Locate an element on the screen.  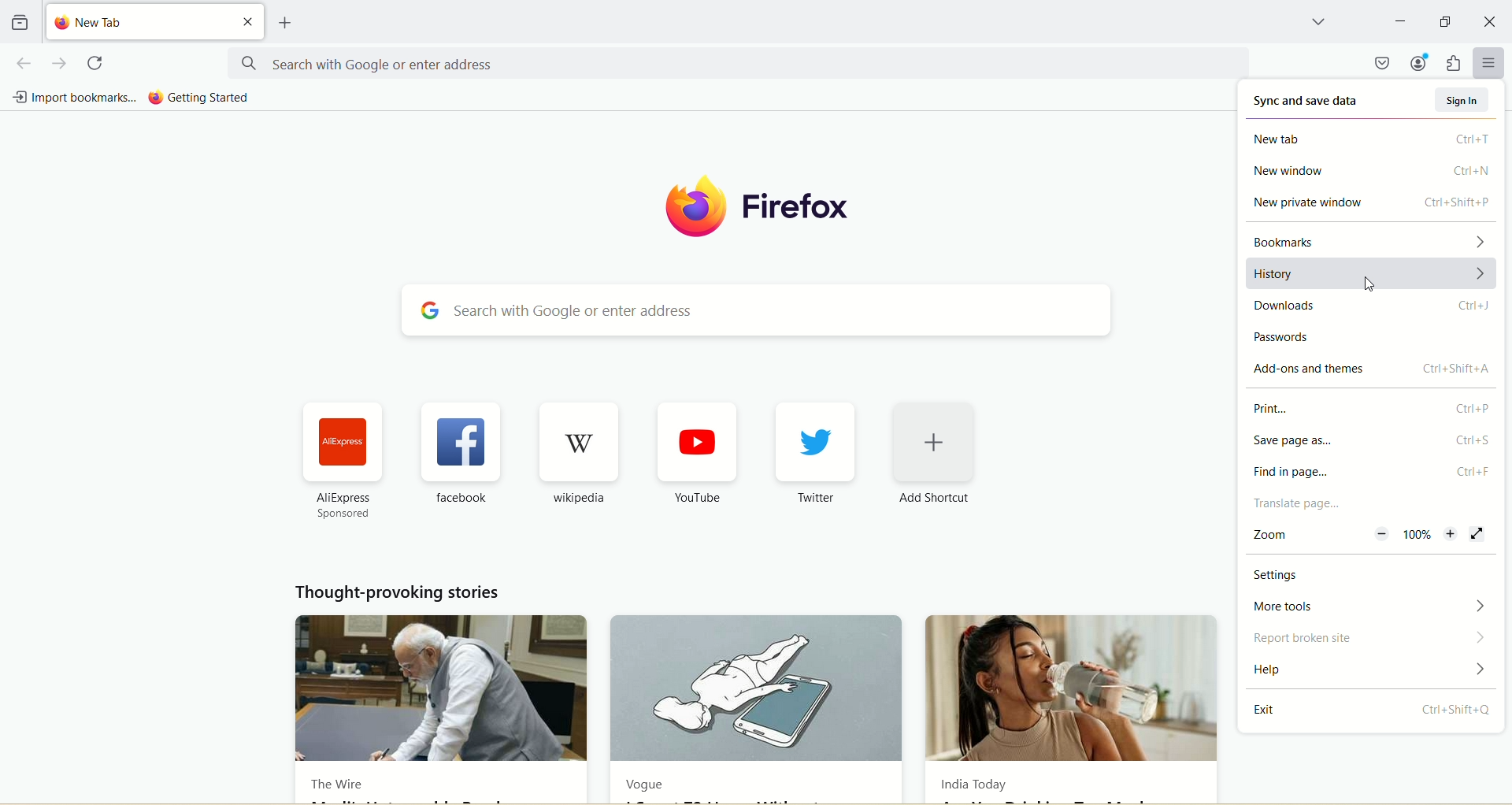
maximize is located at coordinates (1447, 19).